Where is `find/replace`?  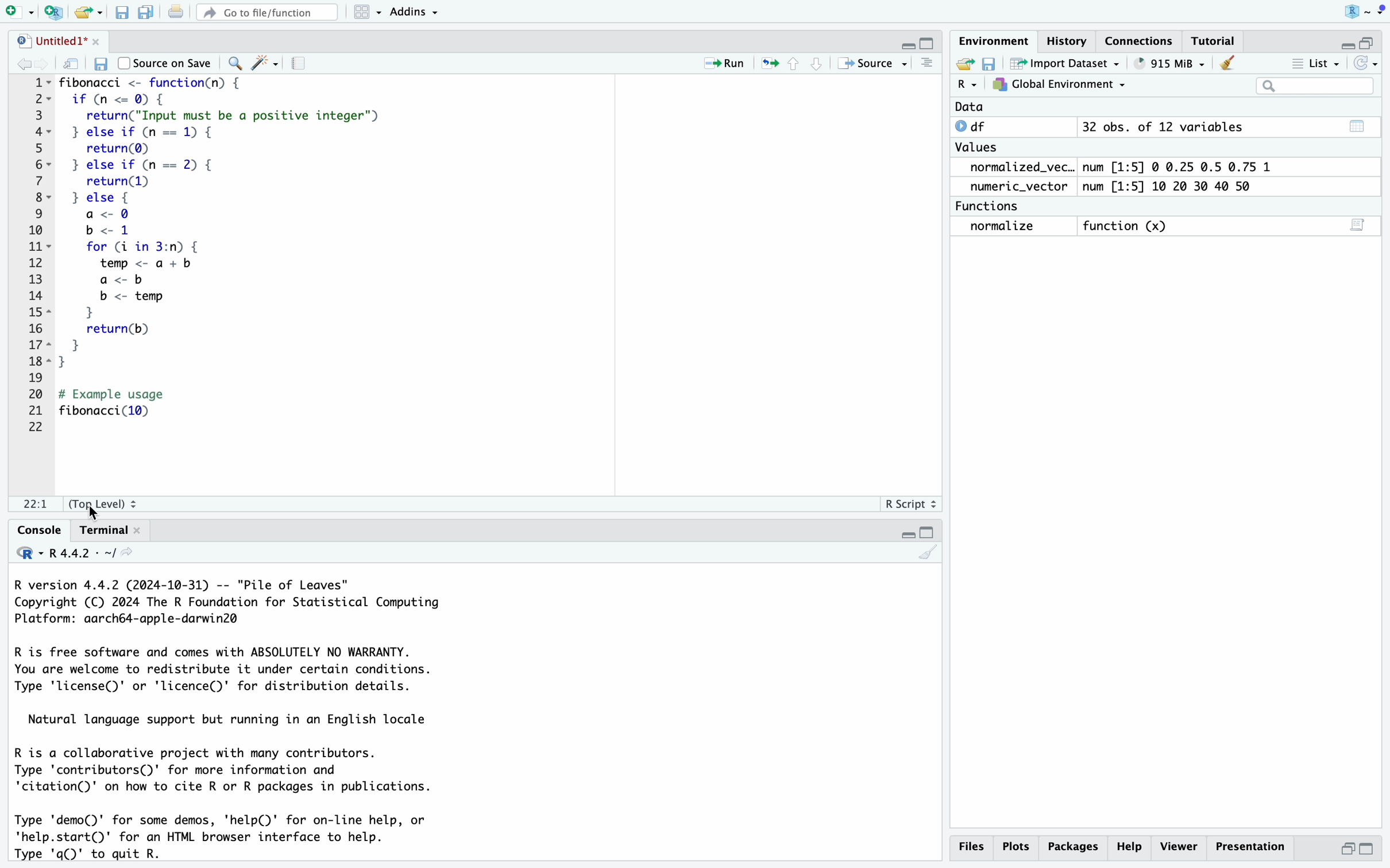 find/replace is located at coordinates (234, 64).